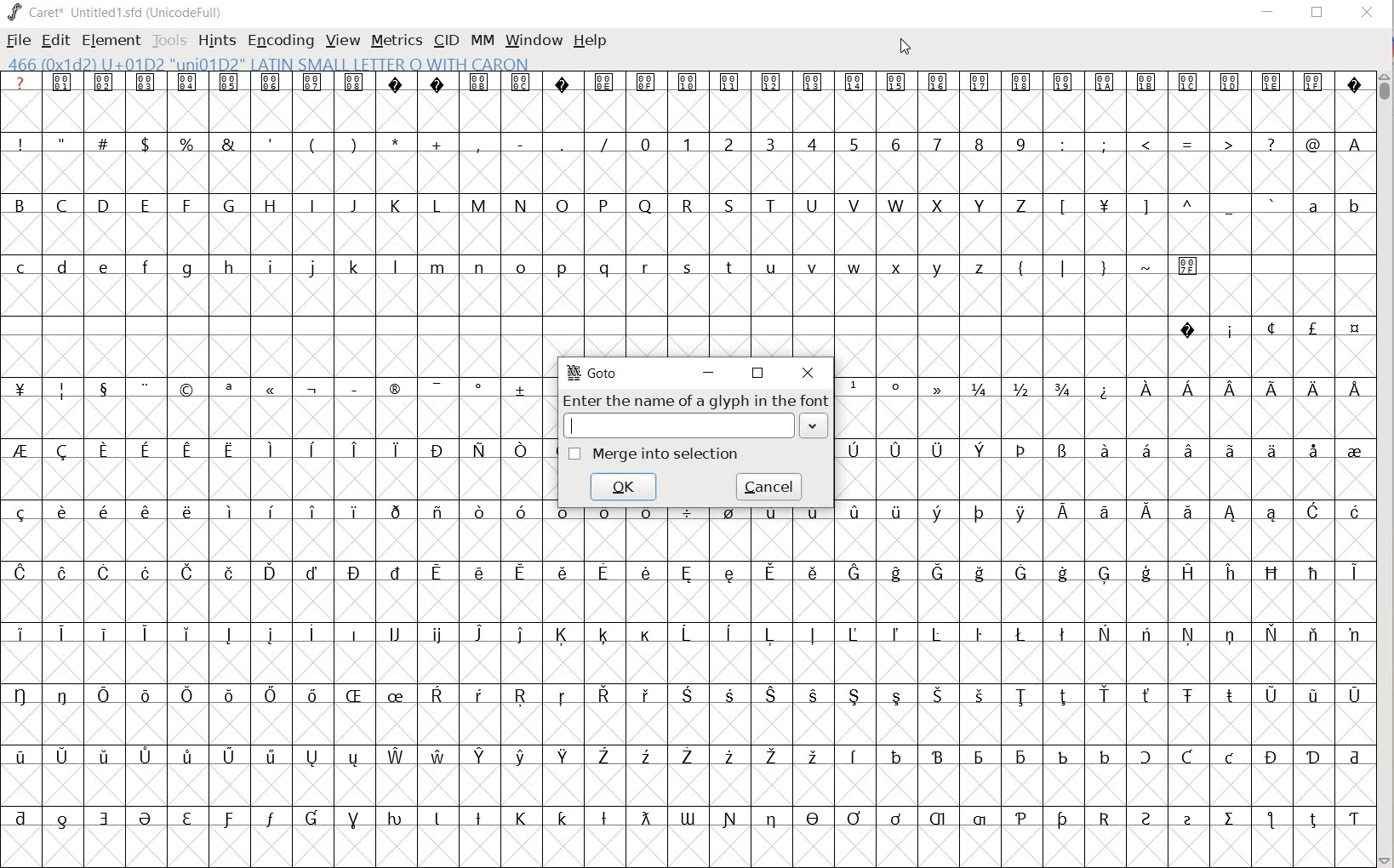 This screenshot has width=1394, height=868. I want to click on VIEW, so click(342, 41).